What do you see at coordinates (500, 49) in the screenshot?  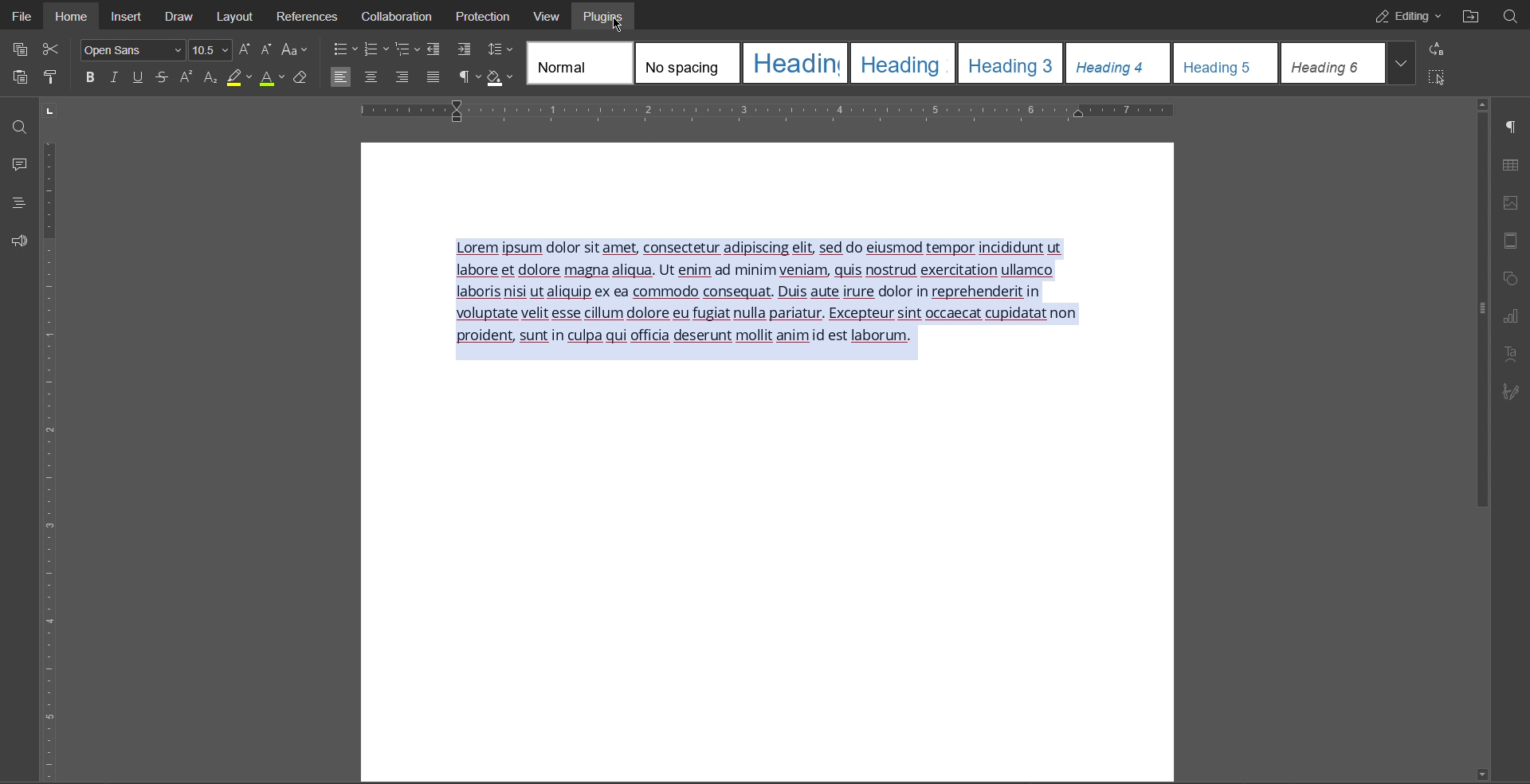 I see `Line Spacing` at bounding box center [500, 49].